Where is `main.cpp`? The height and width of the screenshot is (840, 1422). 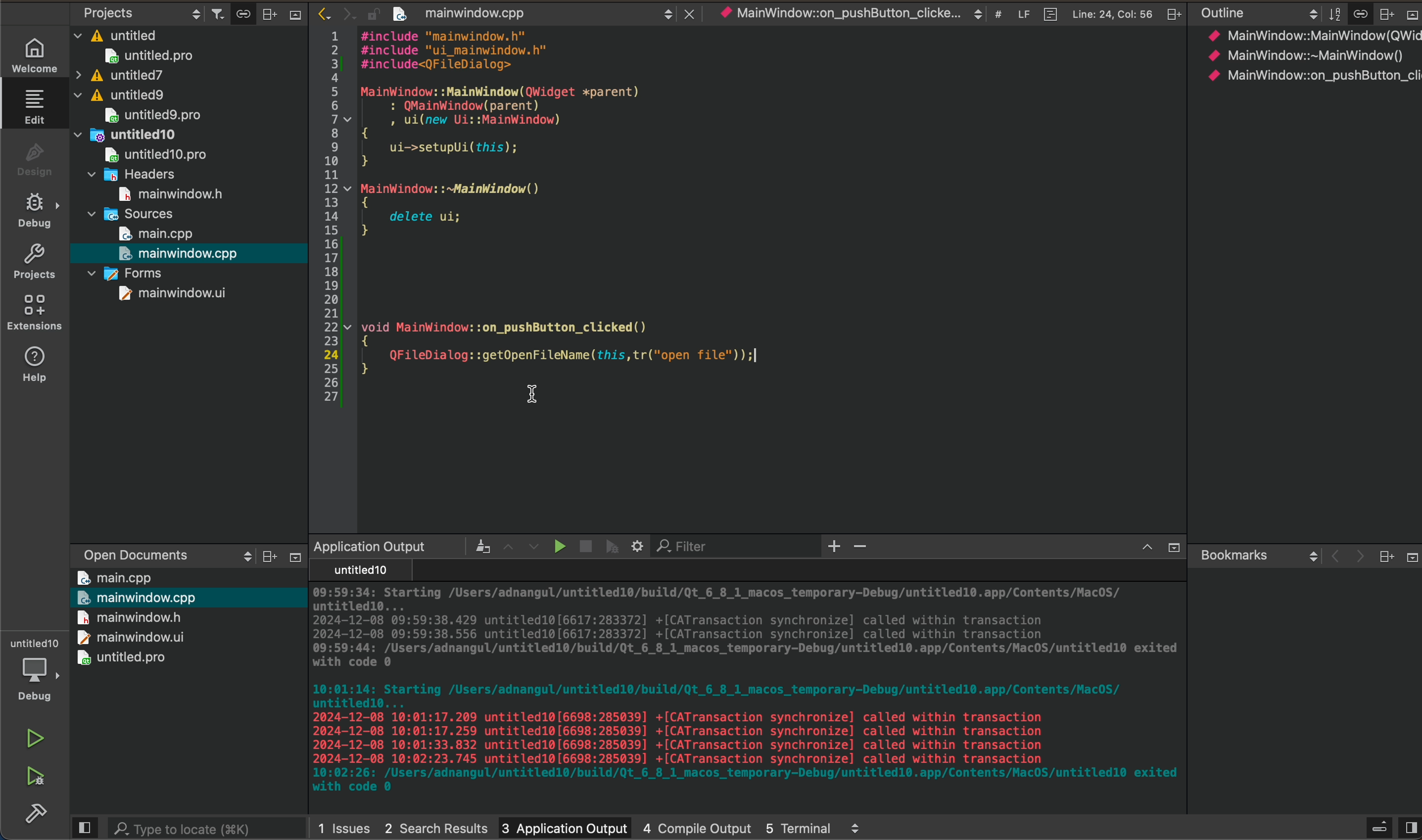
main.cpp is located at coordinates (115, 577).